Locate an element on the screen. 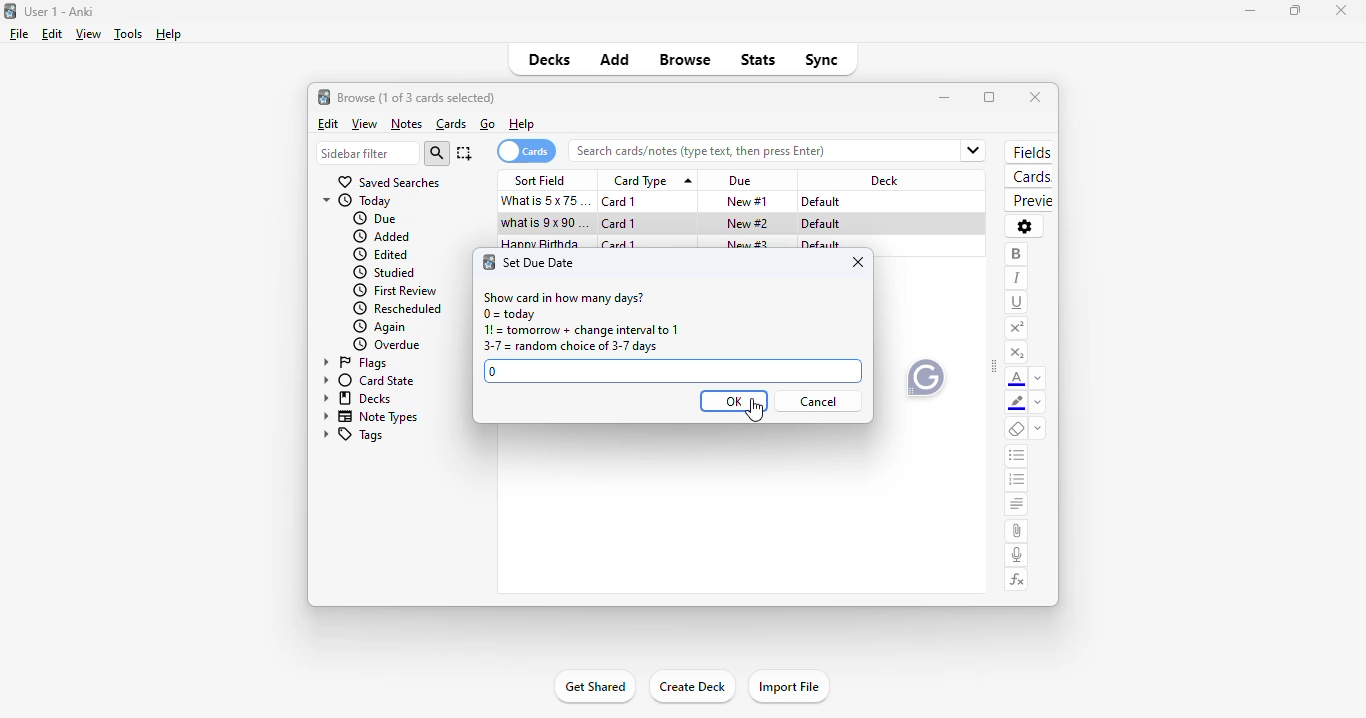  default is located at coordinates (821, 202).